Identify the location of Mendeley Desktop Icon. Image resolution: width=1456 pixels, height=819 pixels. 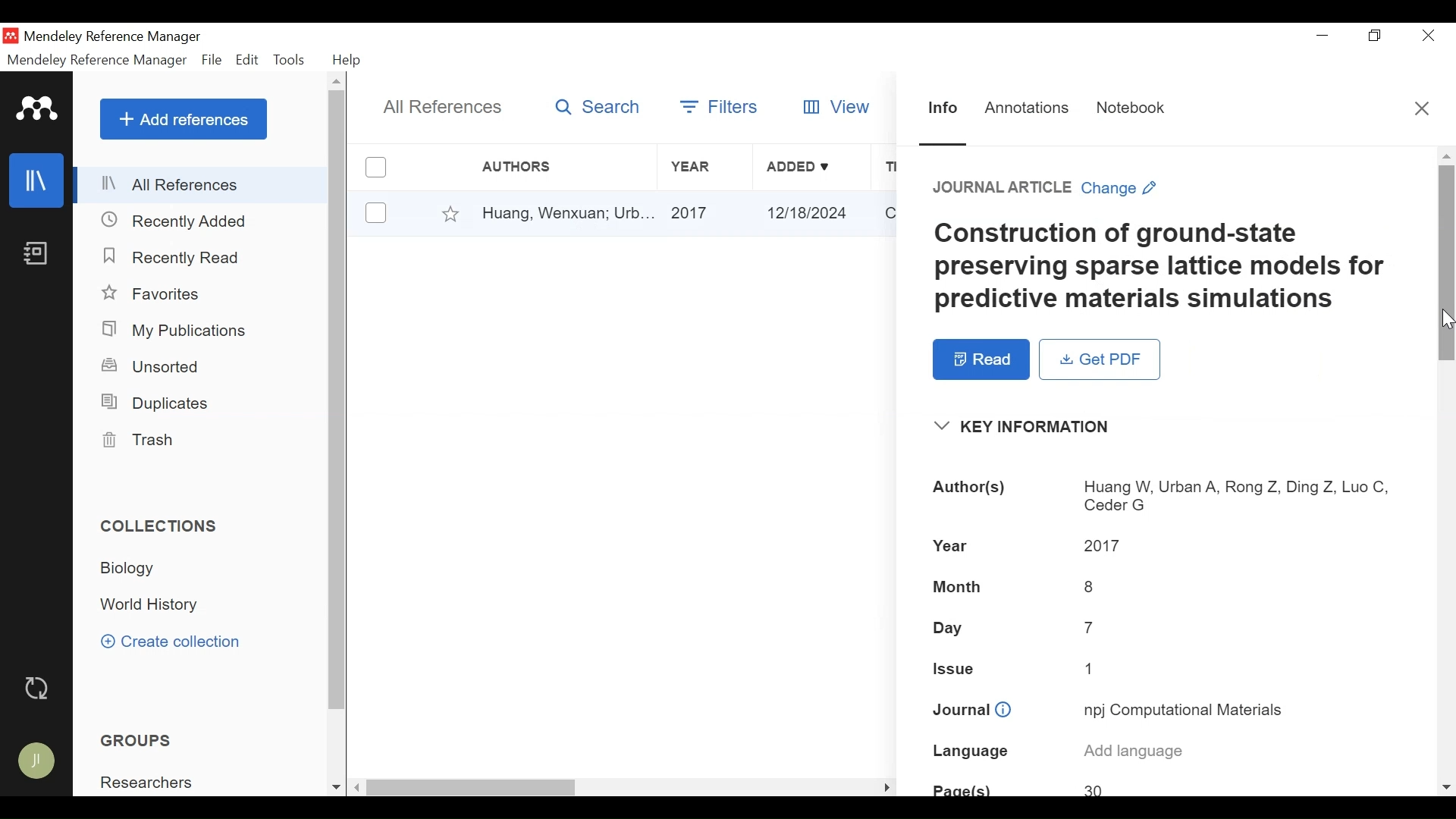
(11, 36).